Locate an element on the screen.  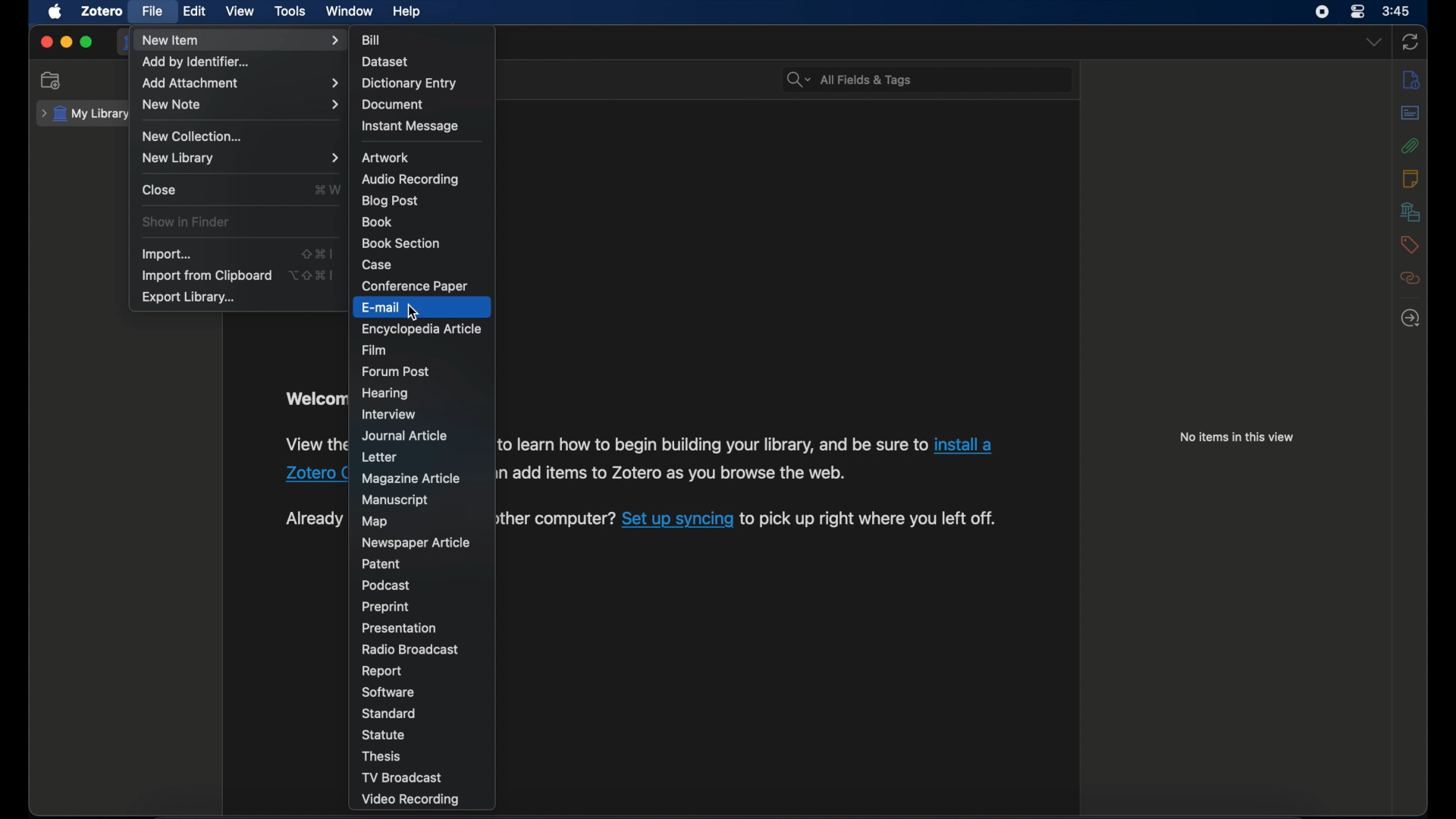
document is located at coordinates (395, 105).